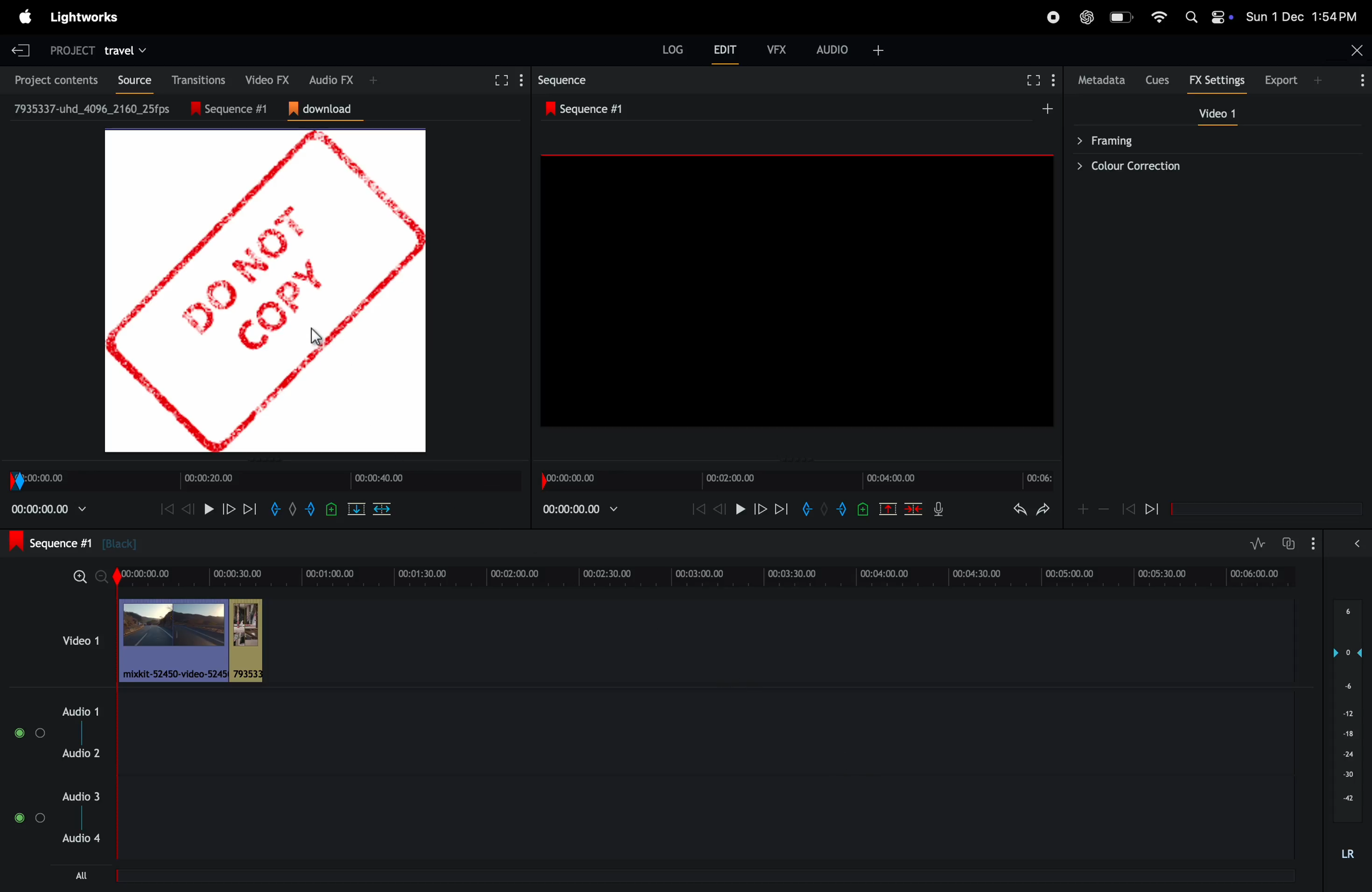 This screenshot has width=1372, height=892. Describe the element at coordinates (565, 80) in the screenshot. I see `sequence` at that location.